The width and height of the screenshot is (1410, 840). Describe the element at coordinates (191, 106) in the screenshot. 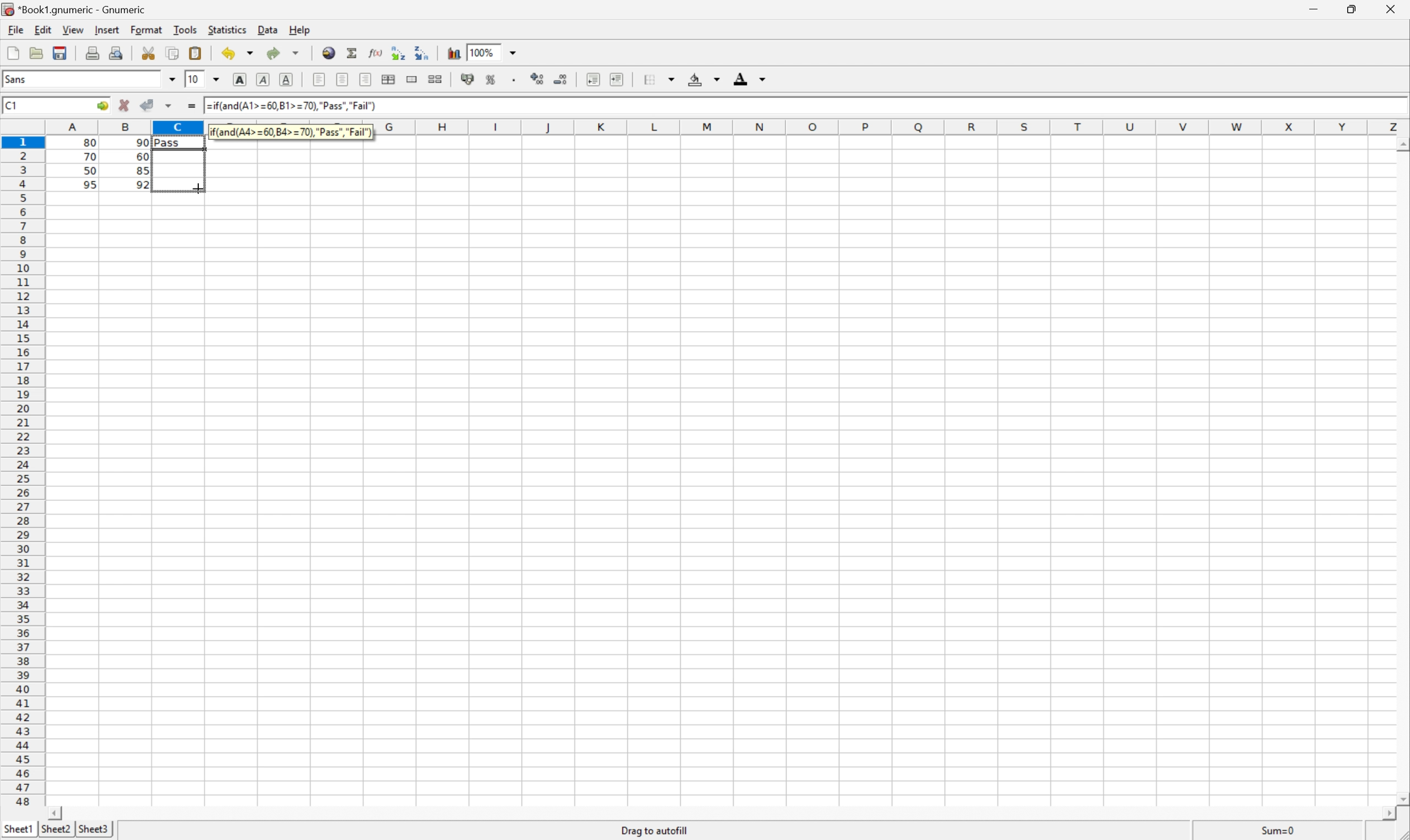

I see `Enter formula` at that location.